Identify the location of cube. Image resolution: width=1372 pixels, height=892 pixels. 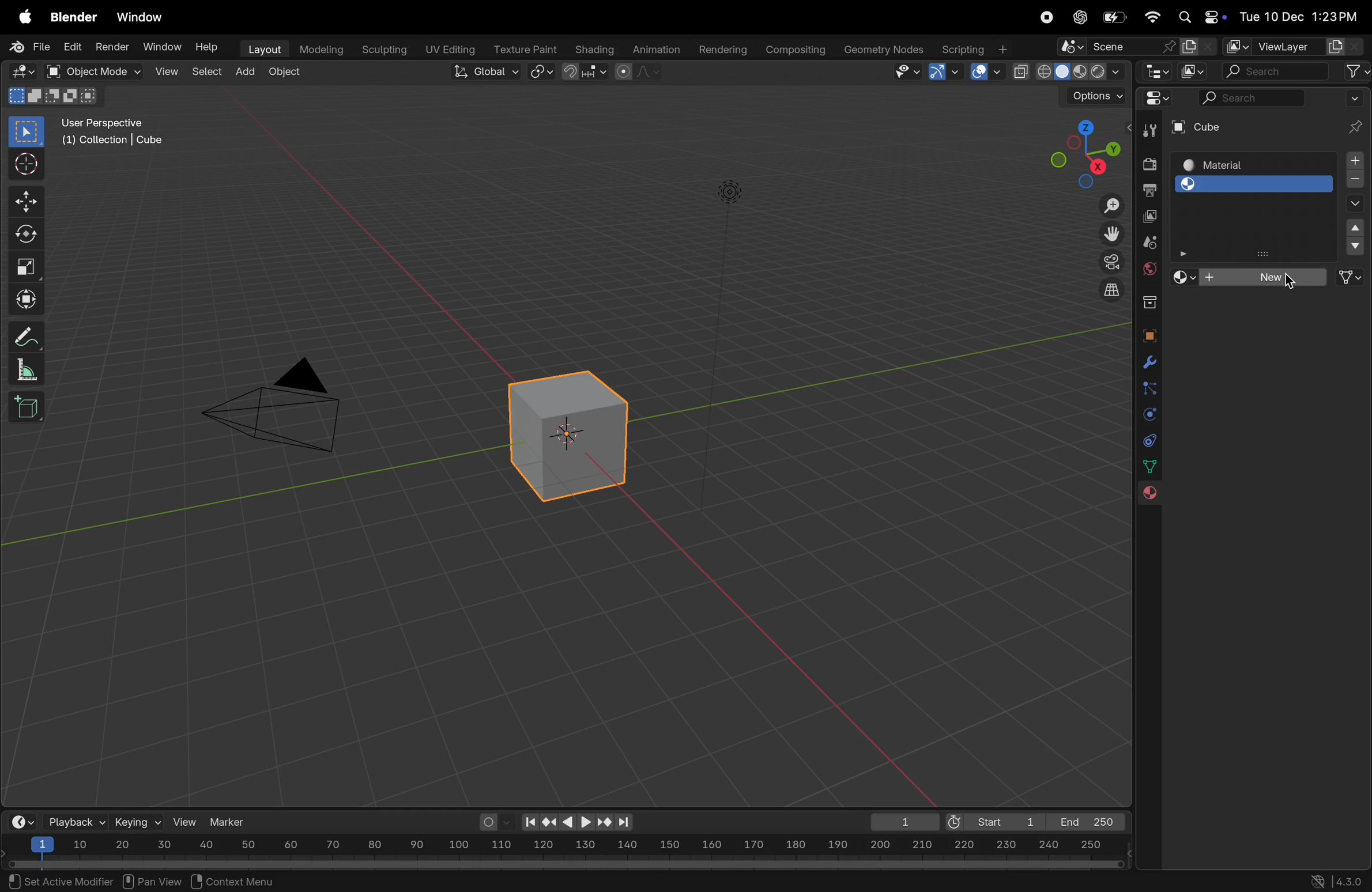
(1234, 126).